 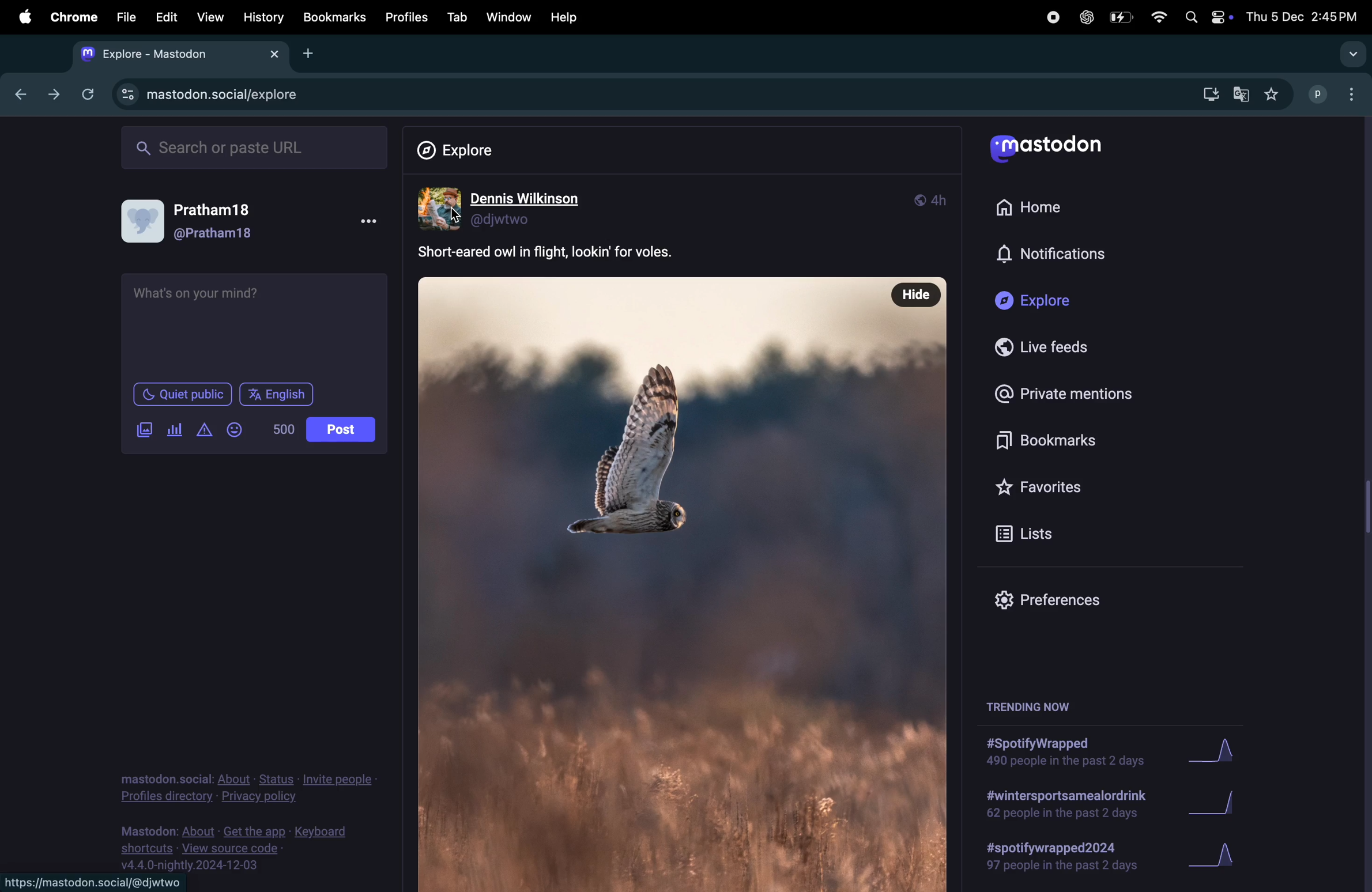 I want to click on add tab, so click(x=315, y=54).